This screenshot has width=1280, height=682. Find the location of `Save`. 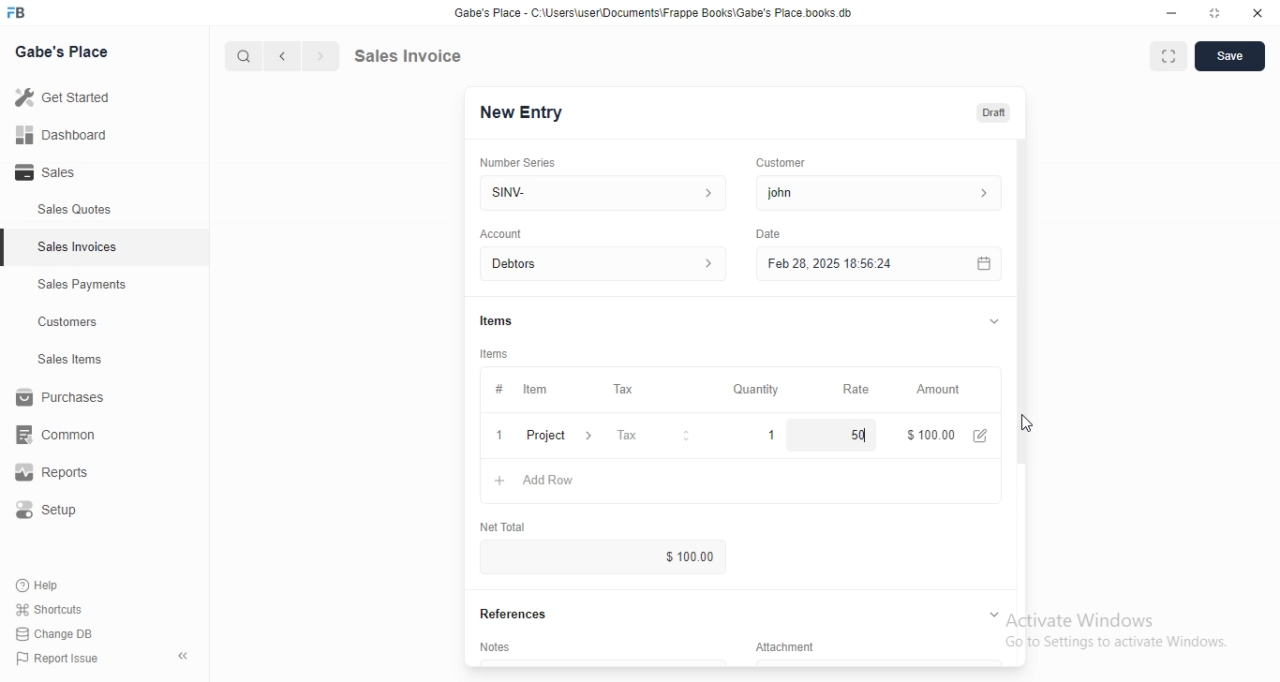

Save is located at coordinates (1230, 57).